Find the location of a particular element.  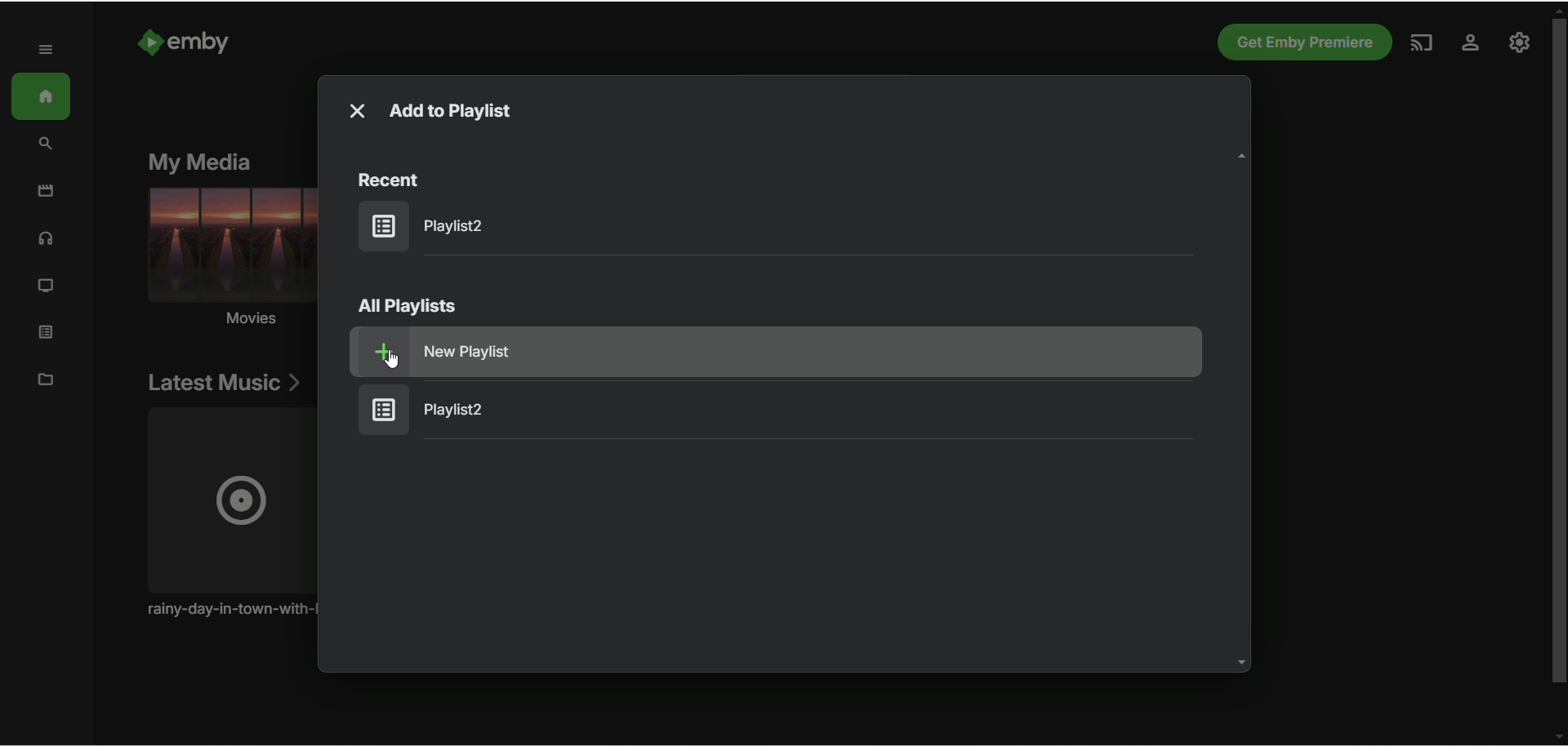

manage emby server is located at coordinates (1521, 44).